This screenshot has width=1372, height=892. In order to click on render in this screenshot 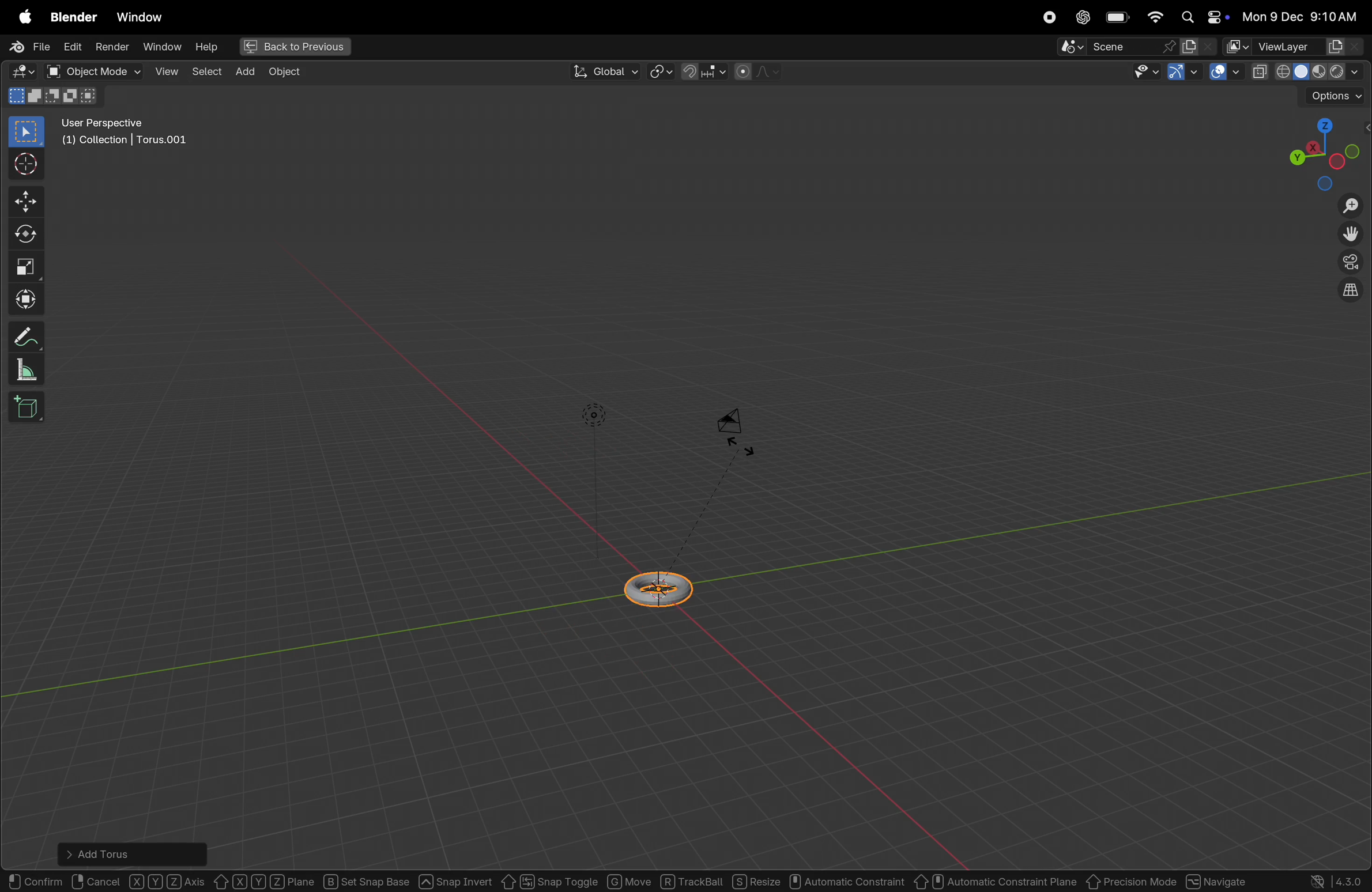, I will do `click(111, 47)`.